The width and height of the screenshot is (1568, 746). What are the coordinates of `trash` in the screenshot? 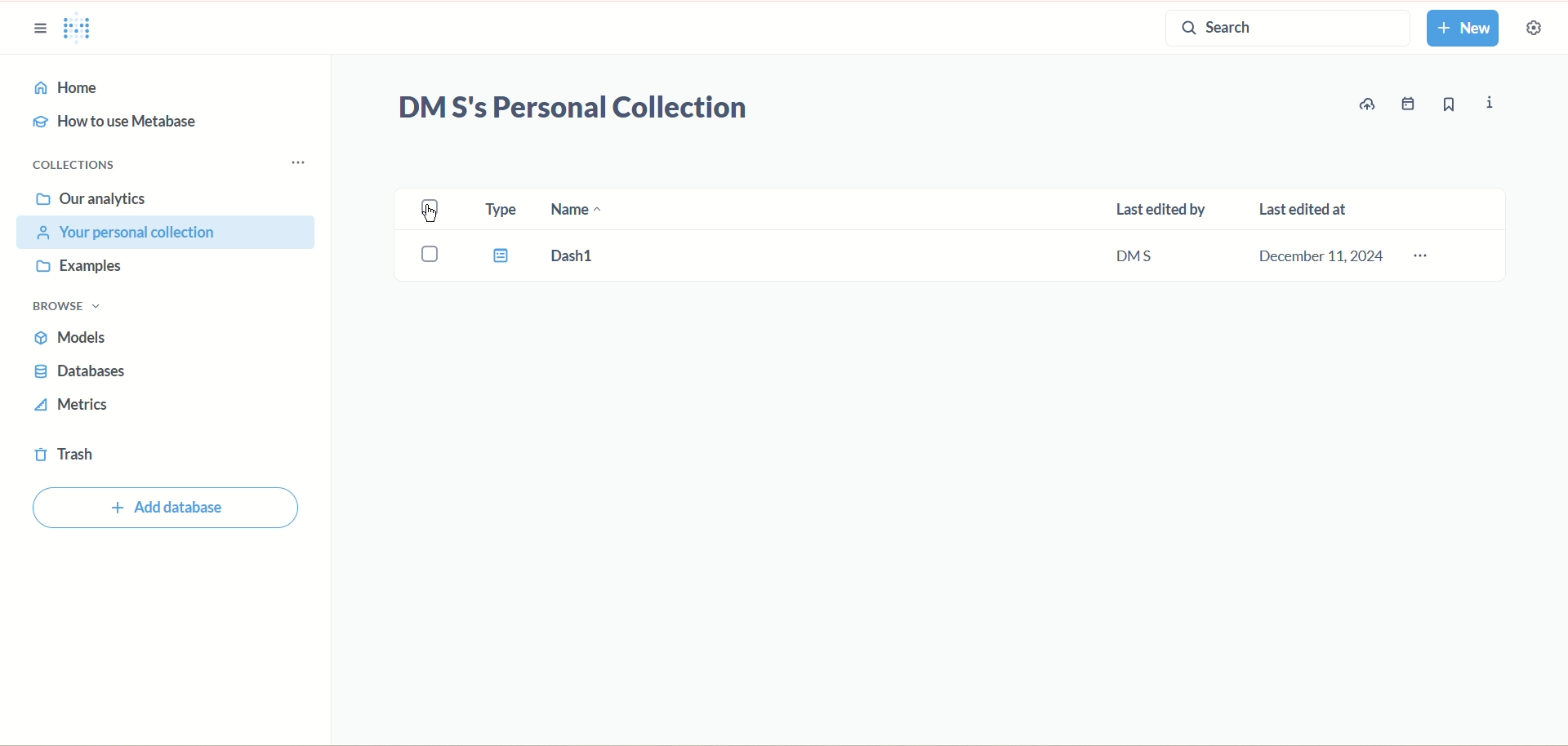 It's located at (67, 452).